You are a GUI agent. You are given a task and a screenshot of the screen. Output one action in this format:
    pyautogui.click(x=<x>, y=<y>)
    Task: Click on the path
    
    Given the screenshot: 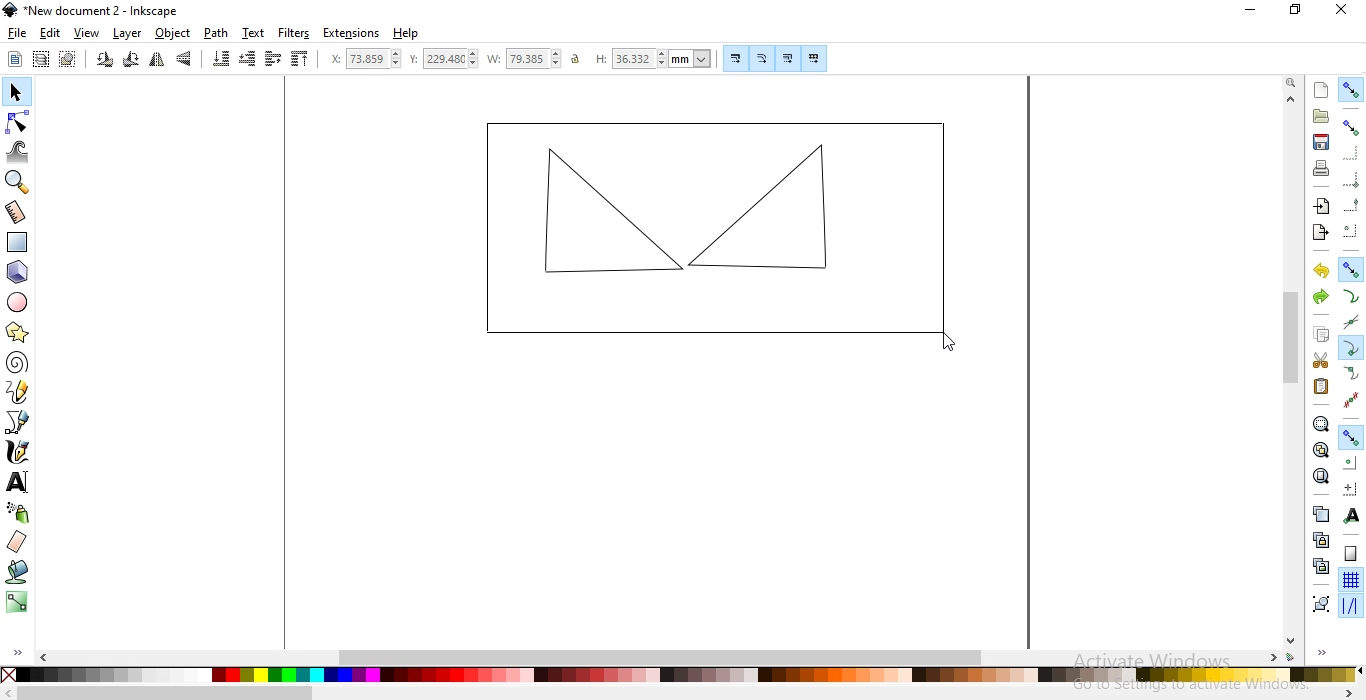 What is the action you would take?
    pyautogui.click(x=215, y=34)
    